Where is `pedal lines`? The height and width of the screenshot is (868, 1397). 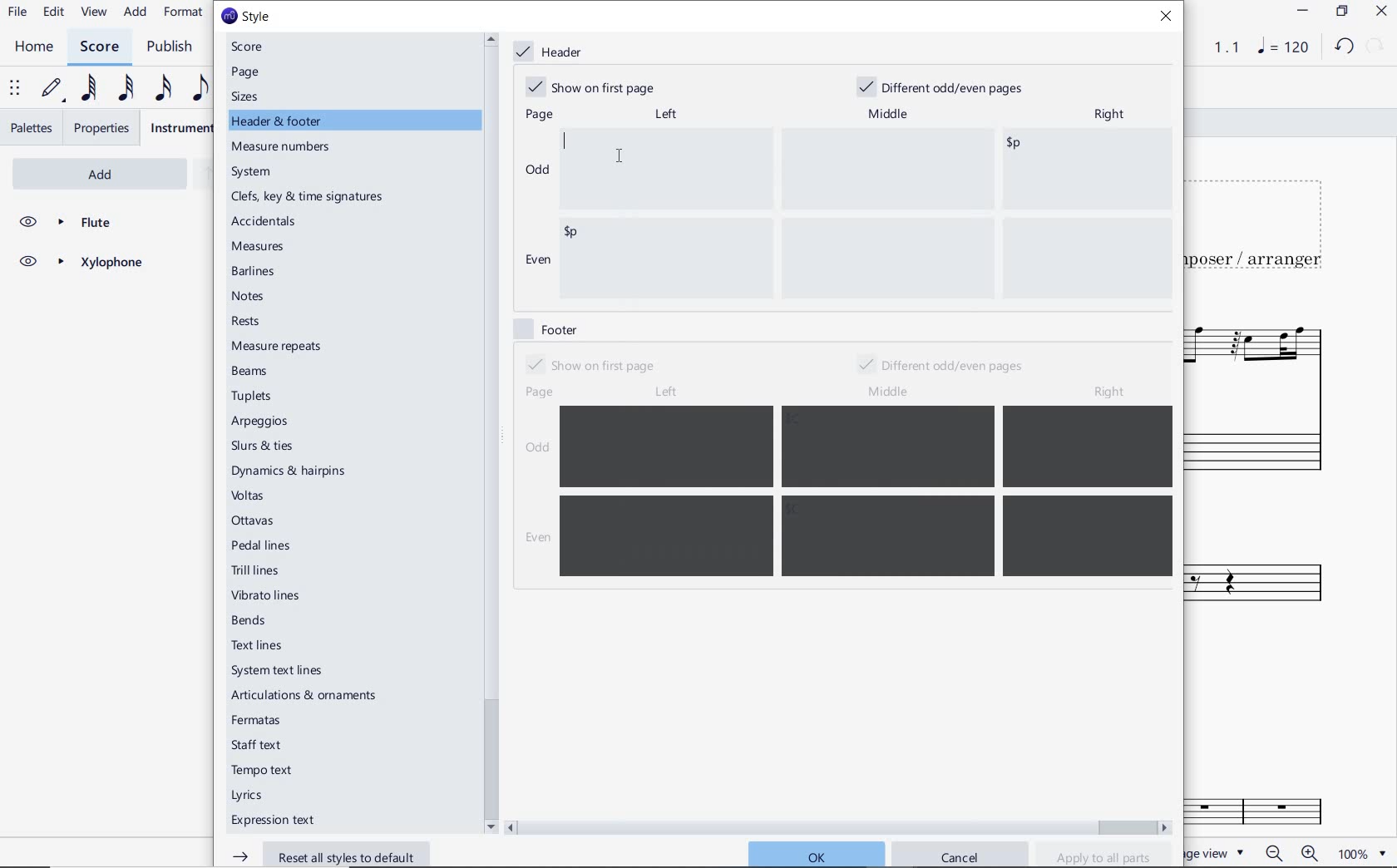
pedal lines is located at coordinates (263, 545).